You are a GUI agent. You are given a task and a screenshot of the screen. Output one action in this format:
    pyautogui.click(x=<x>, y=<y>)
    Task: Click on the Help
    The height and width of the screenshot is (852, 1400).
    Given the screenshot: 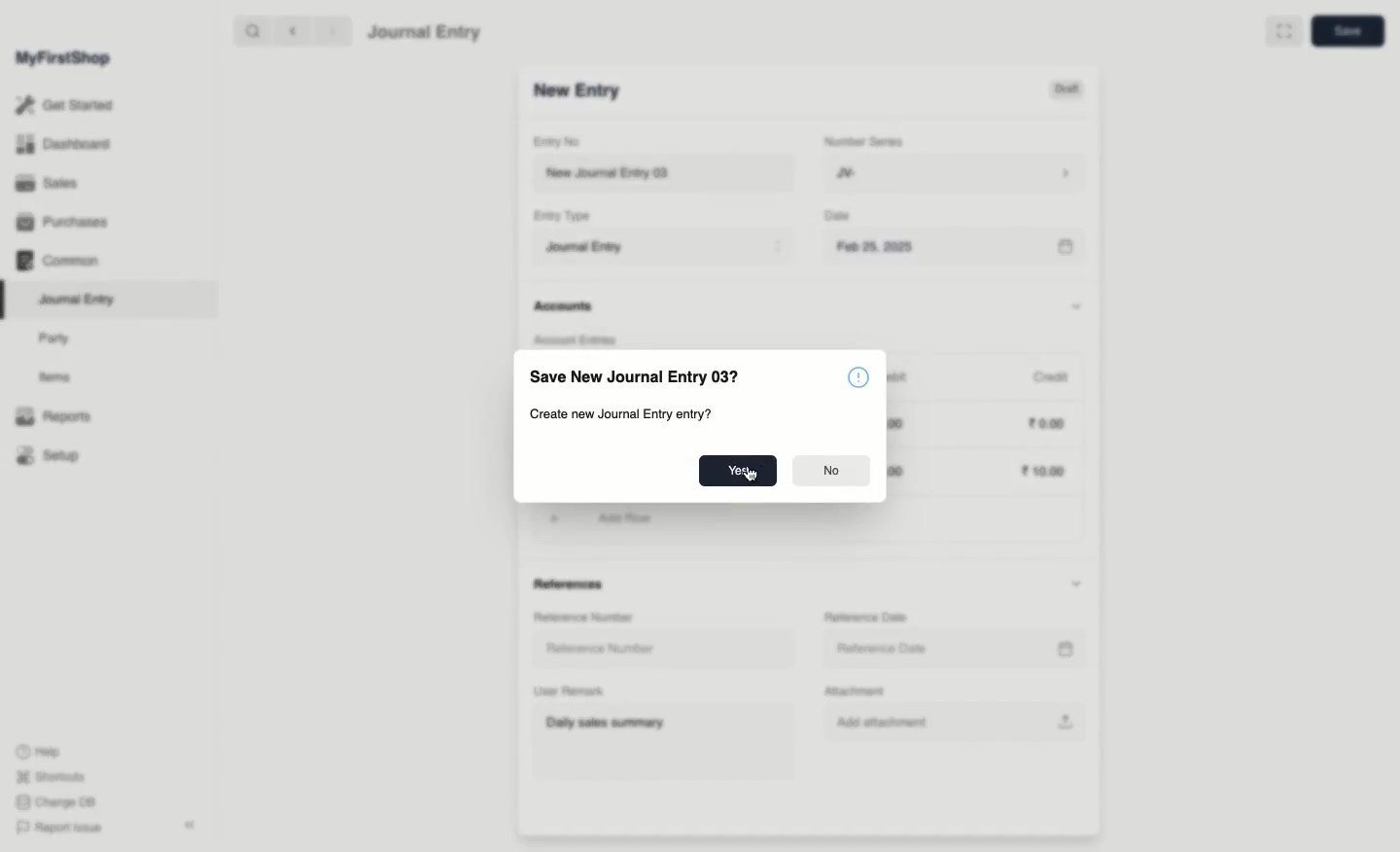 What is the action you would take?
    pyautogui.click(x=36, y=750)
    